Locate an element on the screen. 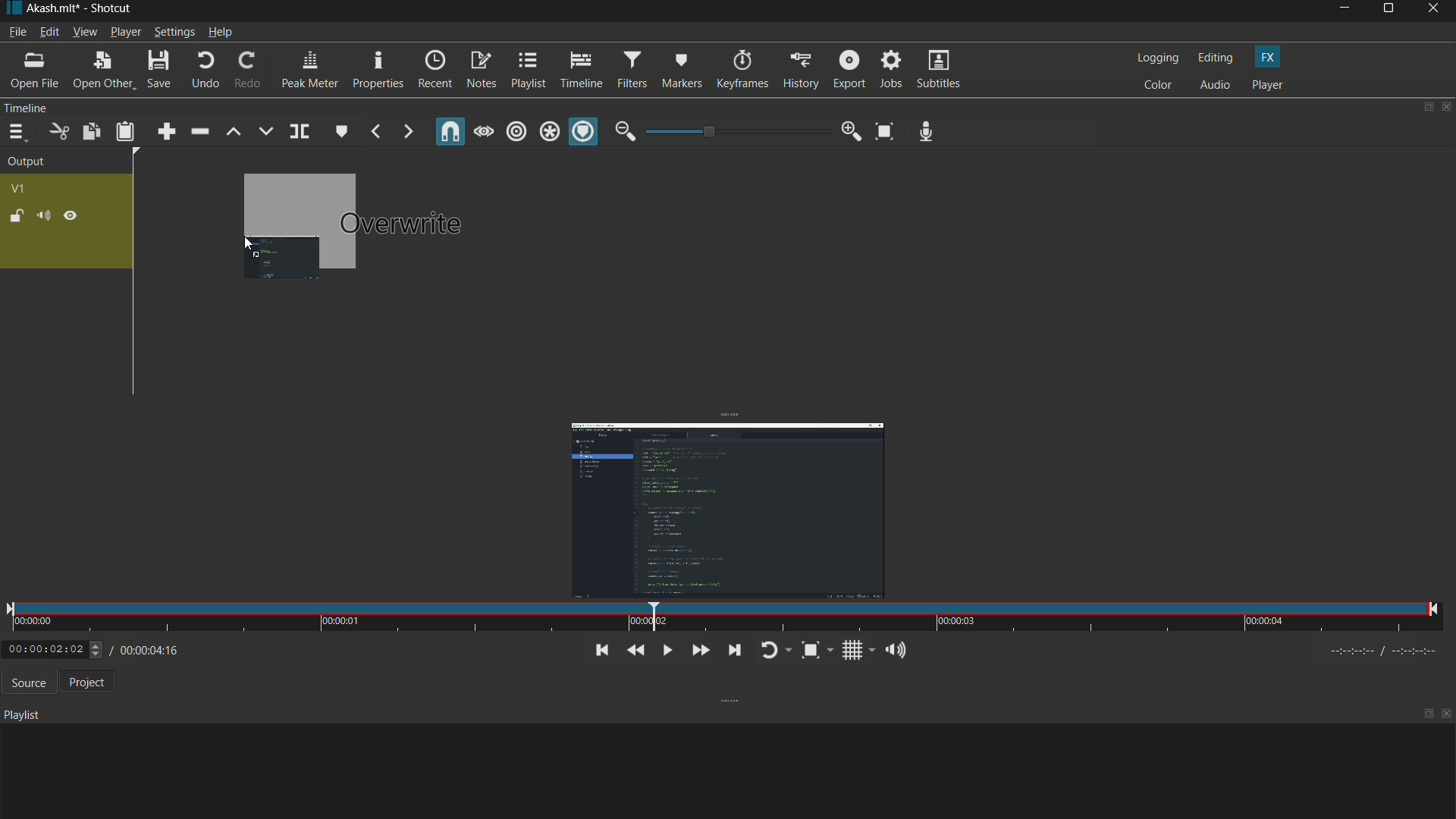 Image resolution: width=1456 pixels, height=819 pixels. logging is located at coordinates (1155, 58).